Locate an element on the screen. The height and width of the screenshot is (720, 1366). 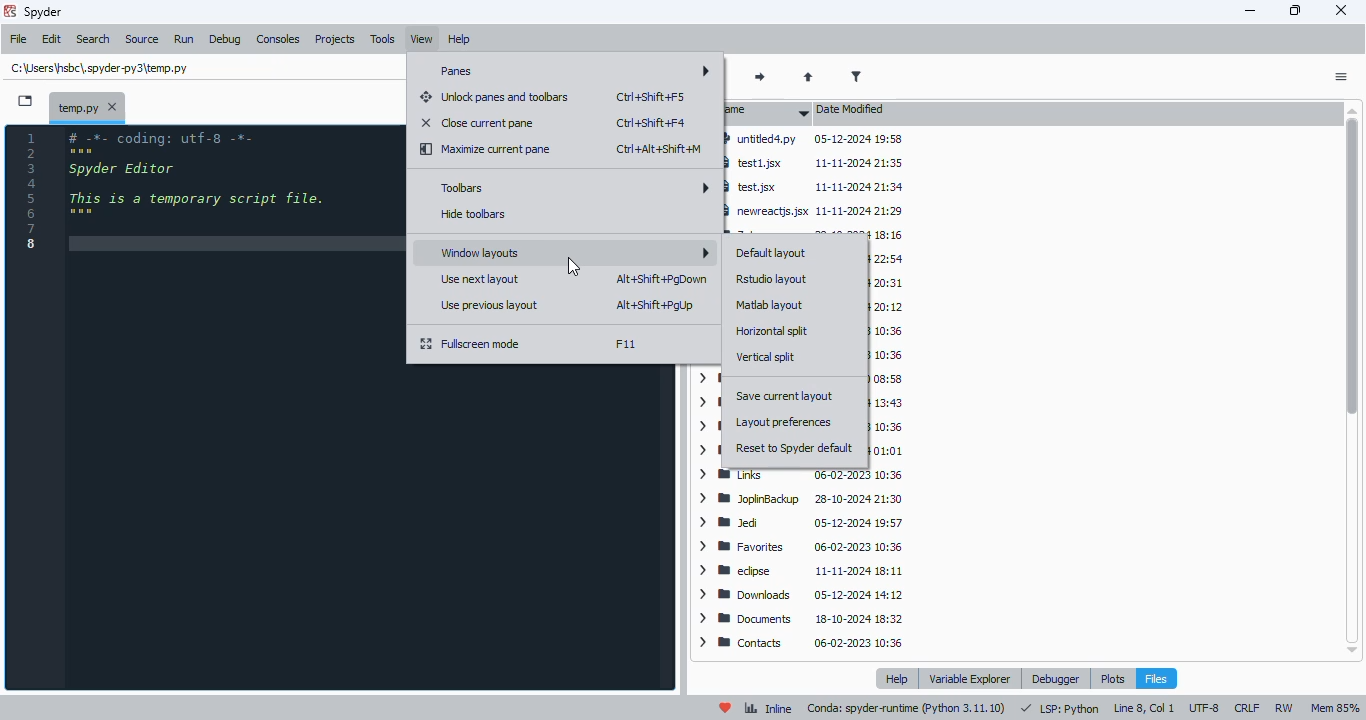
hide toolbars is located at coordinates (472, 213).